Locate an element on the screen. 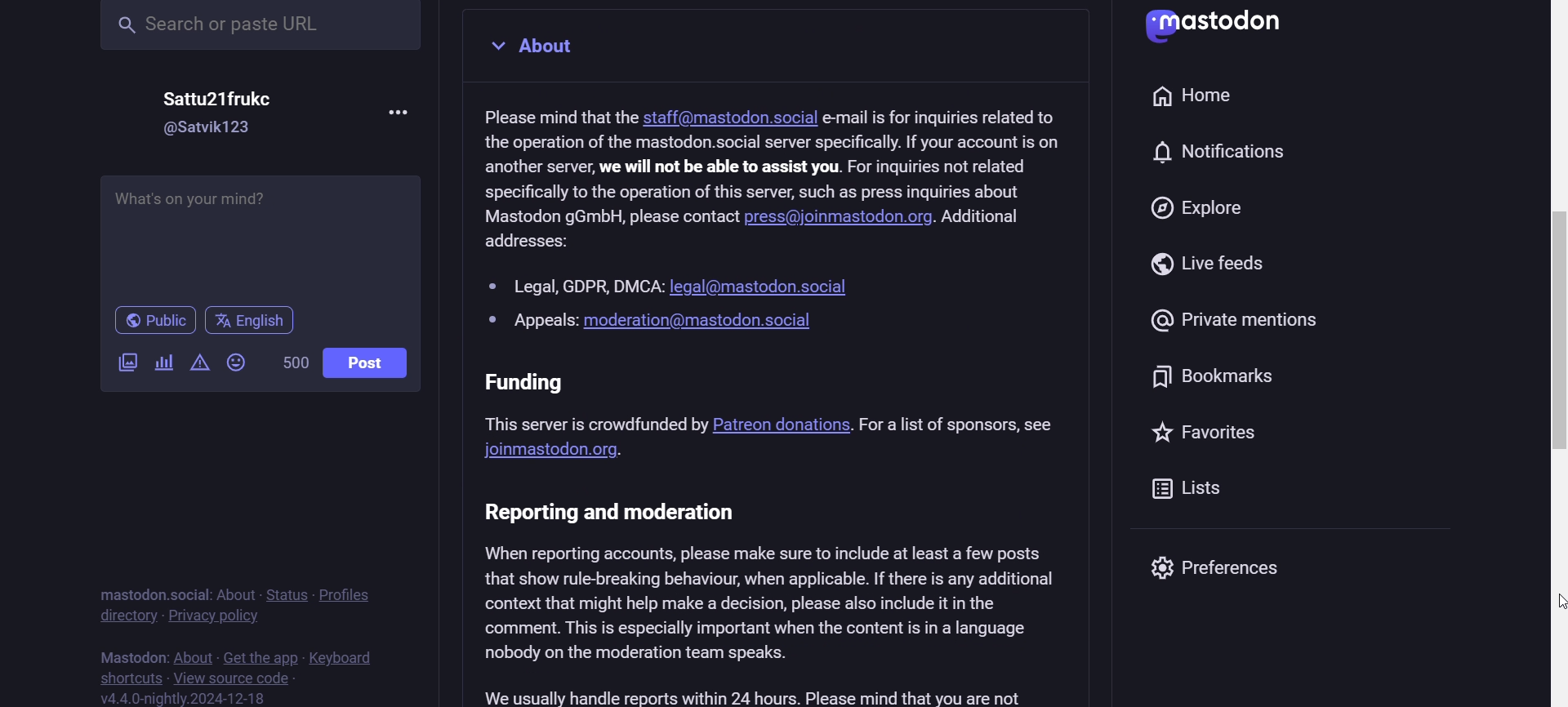 The image size is (1568, 707). word limit is located at coordinates (290, 363).